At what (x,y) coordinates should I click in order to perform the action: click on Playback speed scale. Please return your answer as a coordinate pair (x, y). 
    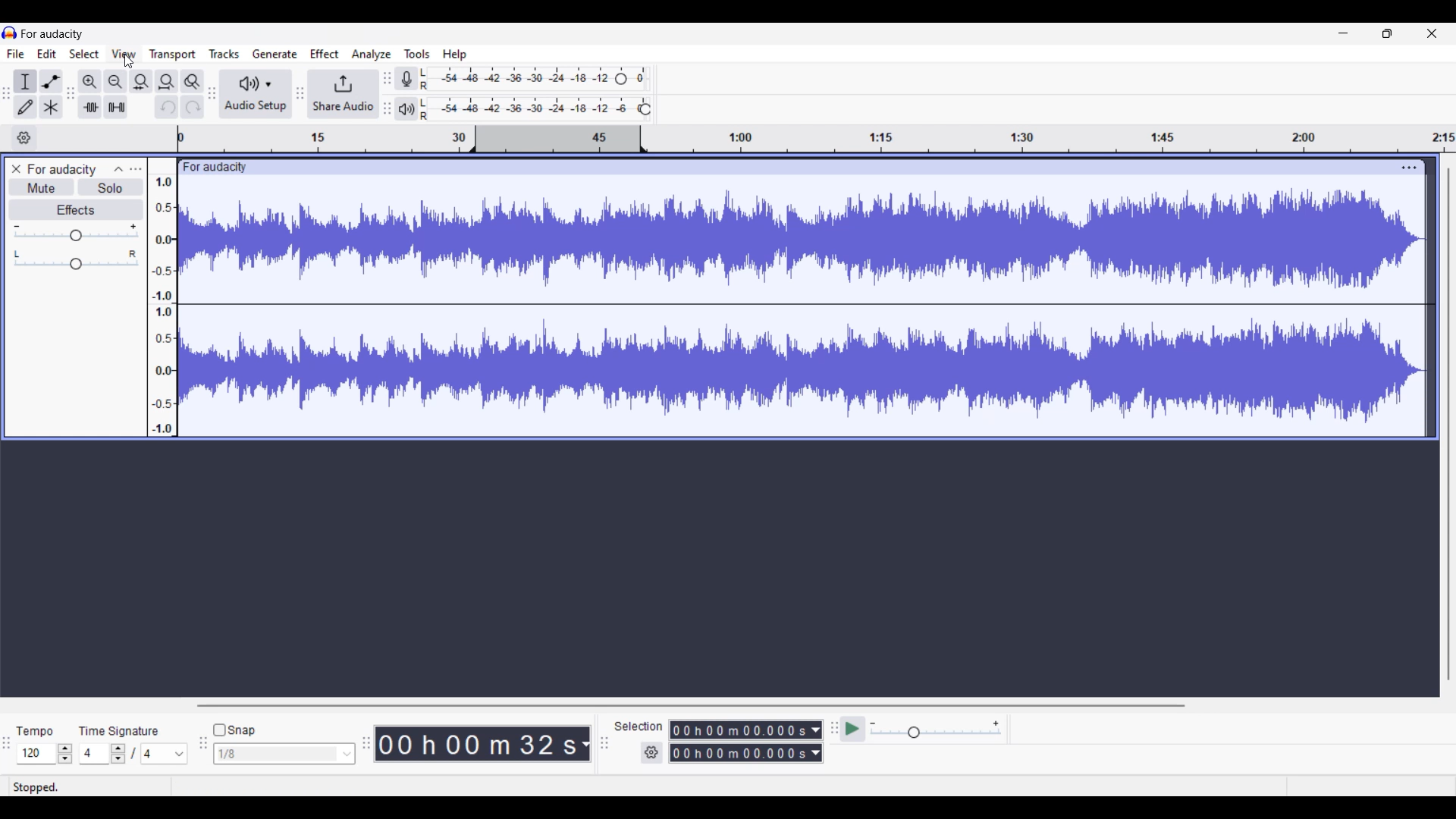
    Looking at the image, I should click on (935, 729).